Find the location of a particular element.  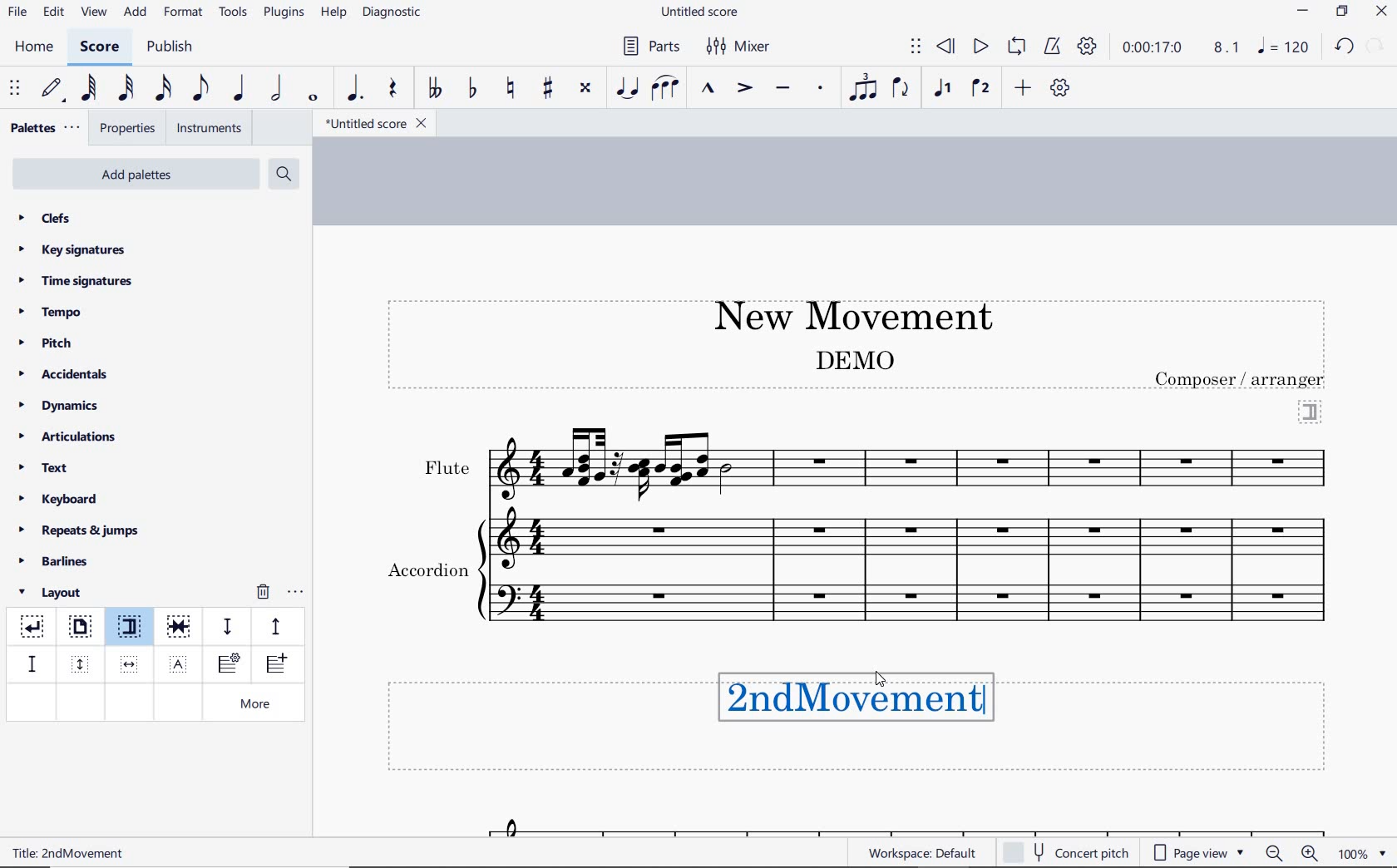

NOTE is located at coordinates (1285, 47).